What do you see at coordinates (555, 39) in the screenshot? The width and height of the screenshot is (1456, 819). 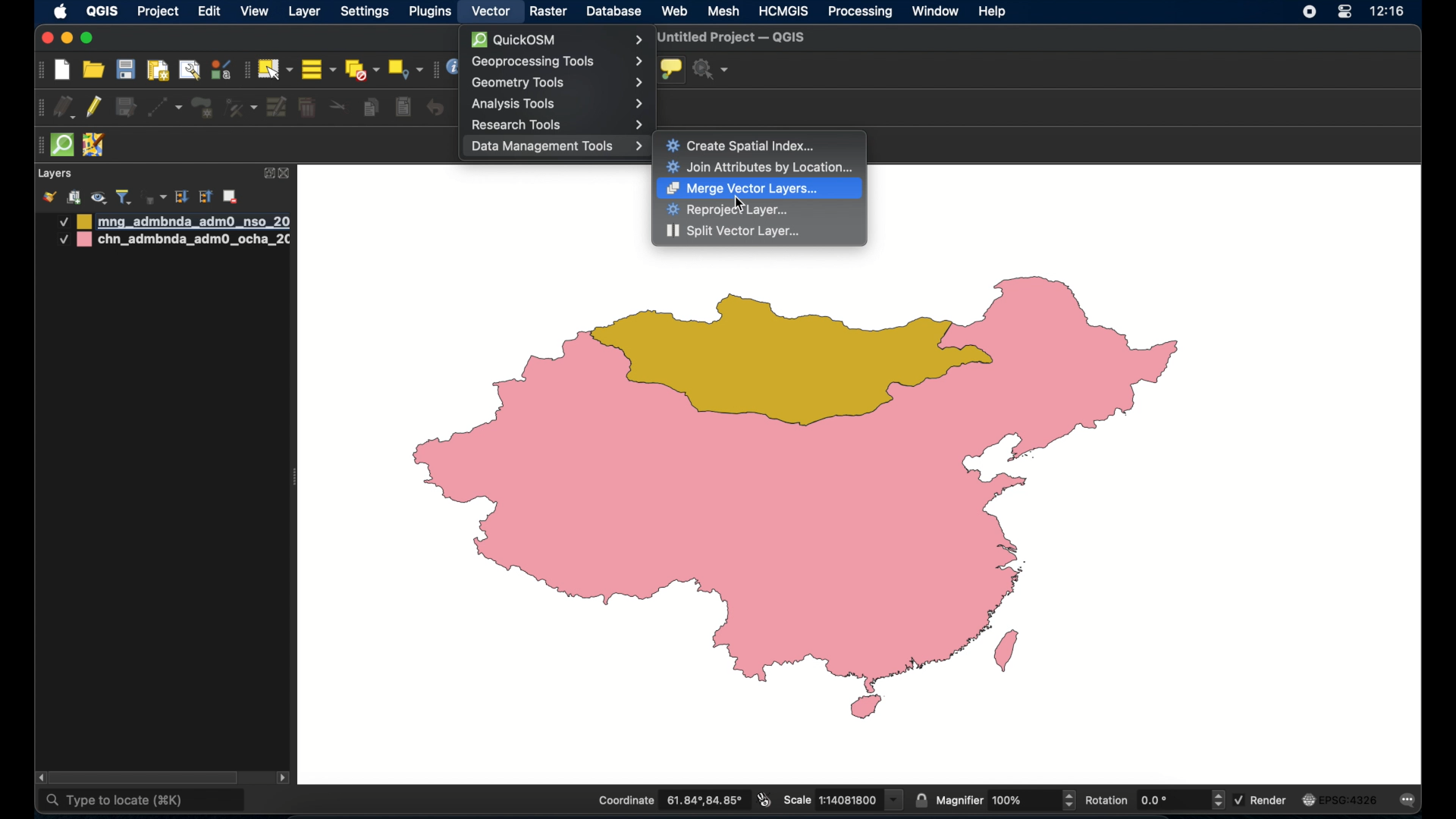 I see `quickosm menu` at bounding box center [555, 39].